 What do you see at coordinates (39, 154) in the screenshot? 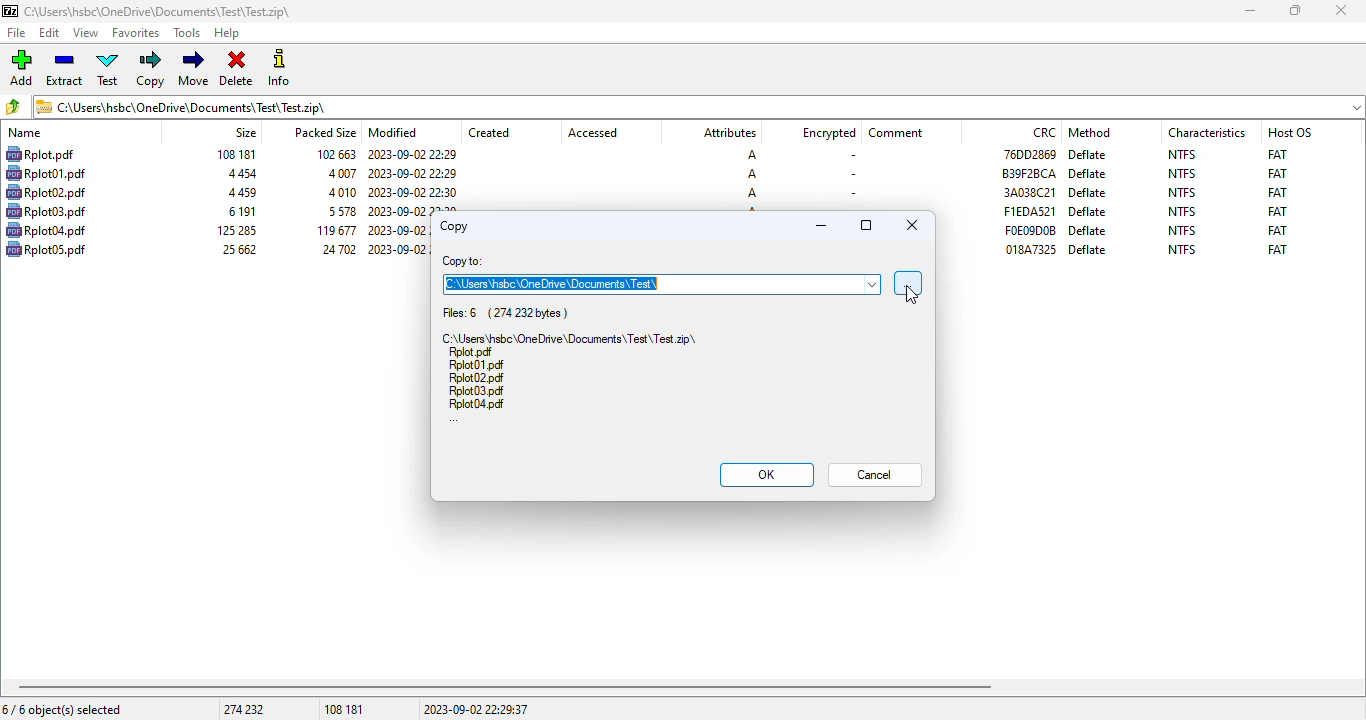
I see `file` at bounding box center [39, 154].